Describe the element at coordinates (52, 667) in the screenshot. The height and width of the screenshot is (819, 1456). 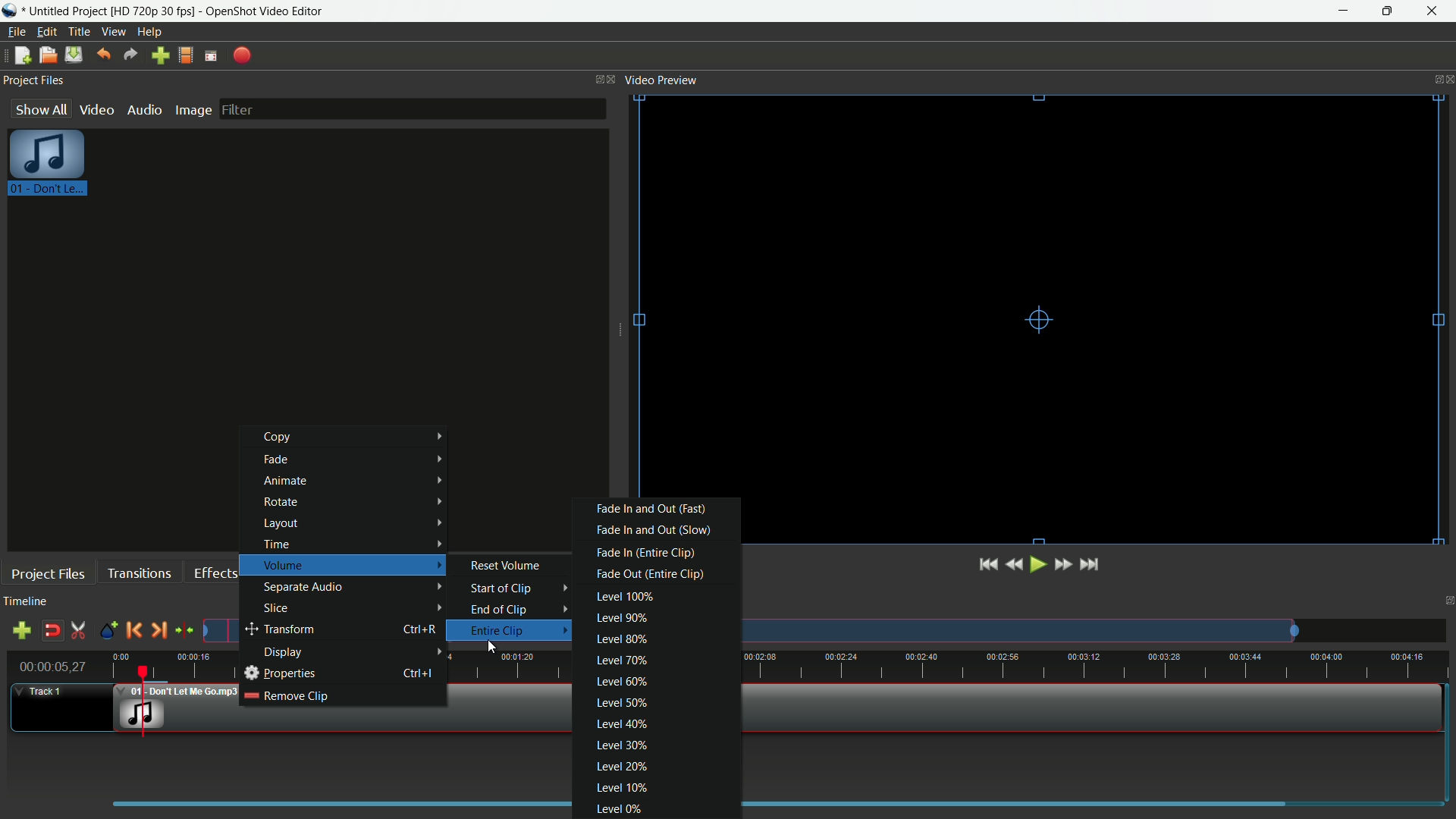
I see `current time` at that location.